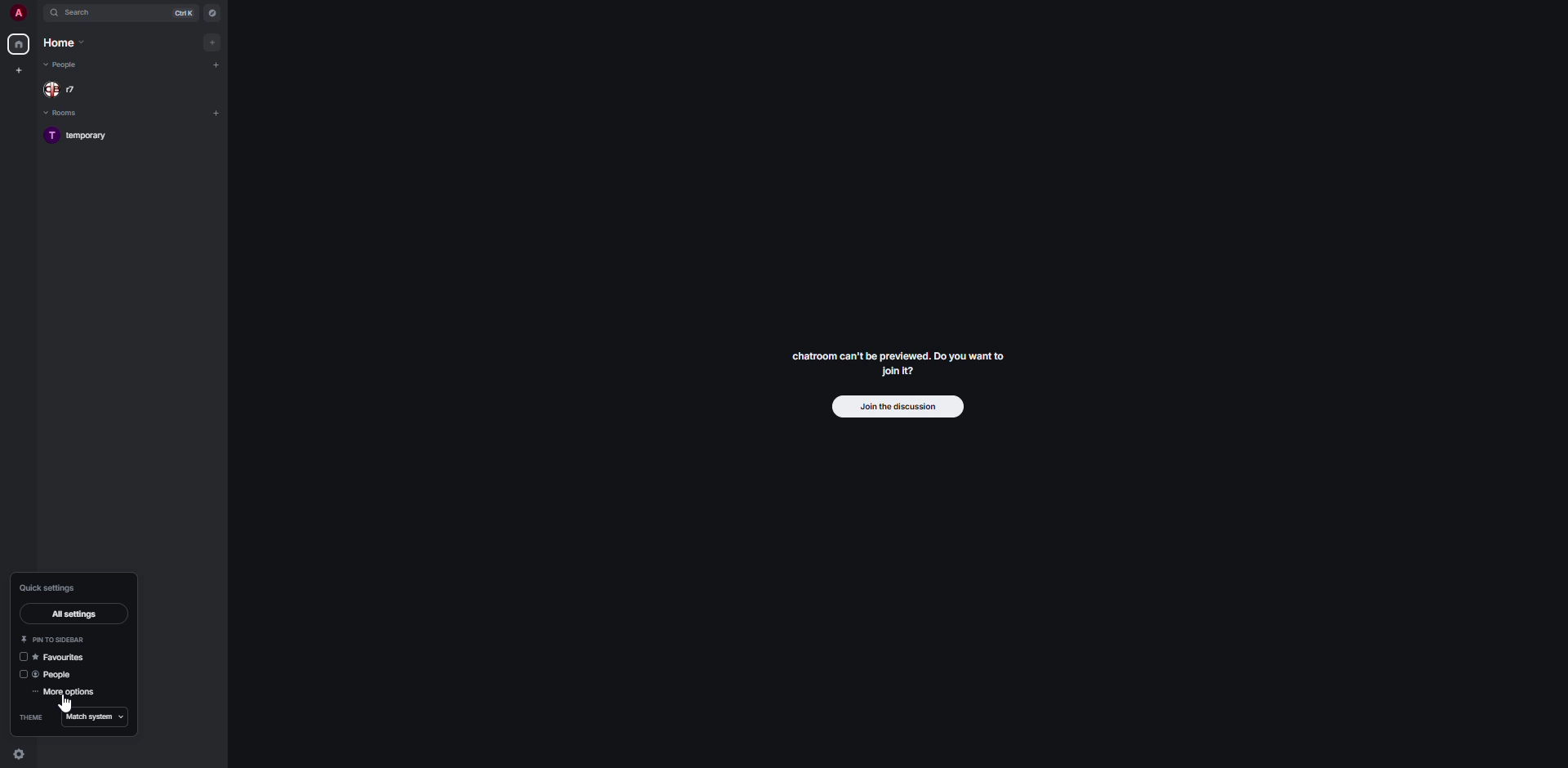 The image size is (1568, 768). What do you see at coordinates (899, 361) in the screenshot?
I see `join chatroom` at bounding box center [899, 361].